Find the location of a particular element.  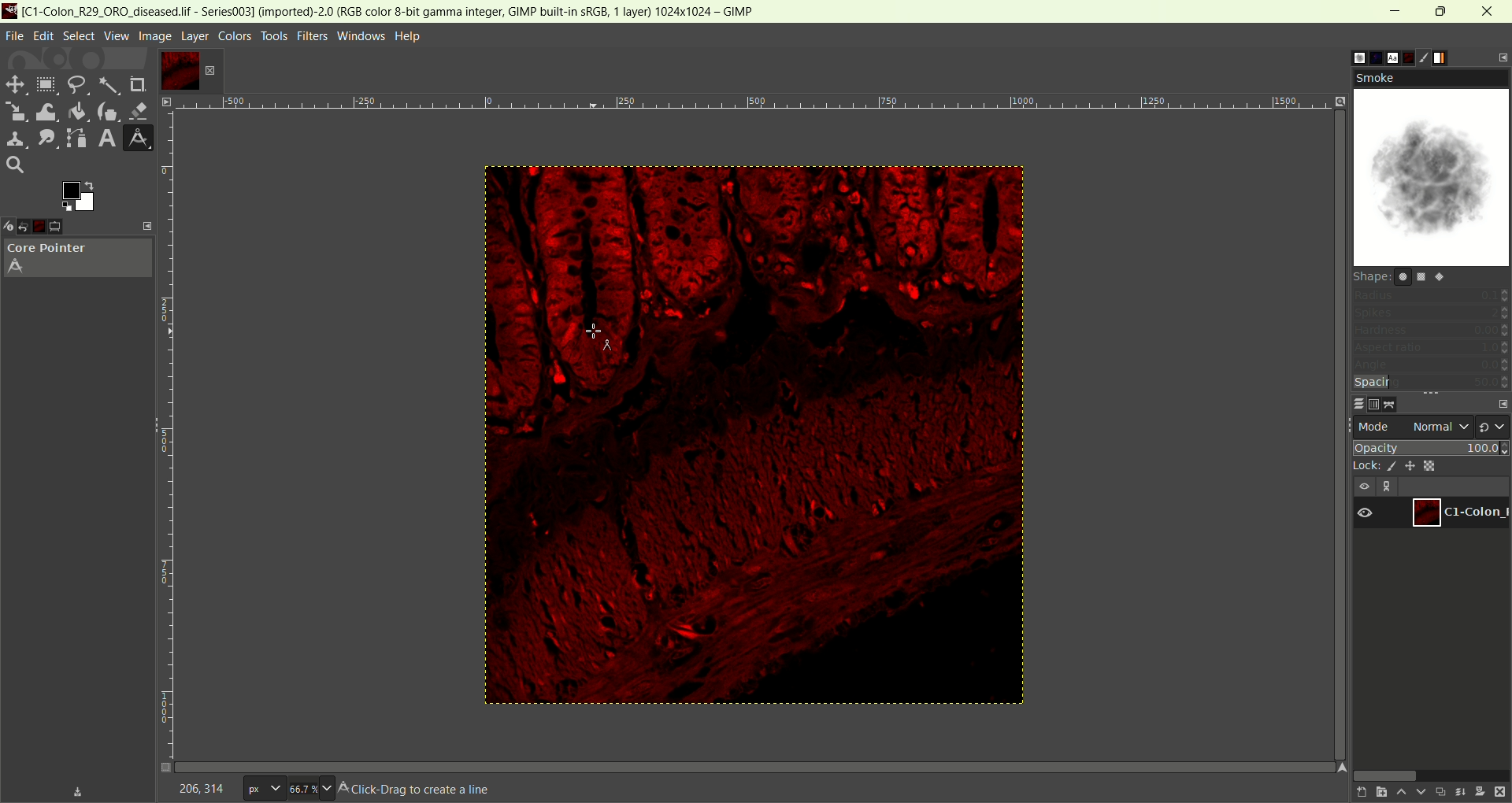

images is located at coordinates (49, 227).